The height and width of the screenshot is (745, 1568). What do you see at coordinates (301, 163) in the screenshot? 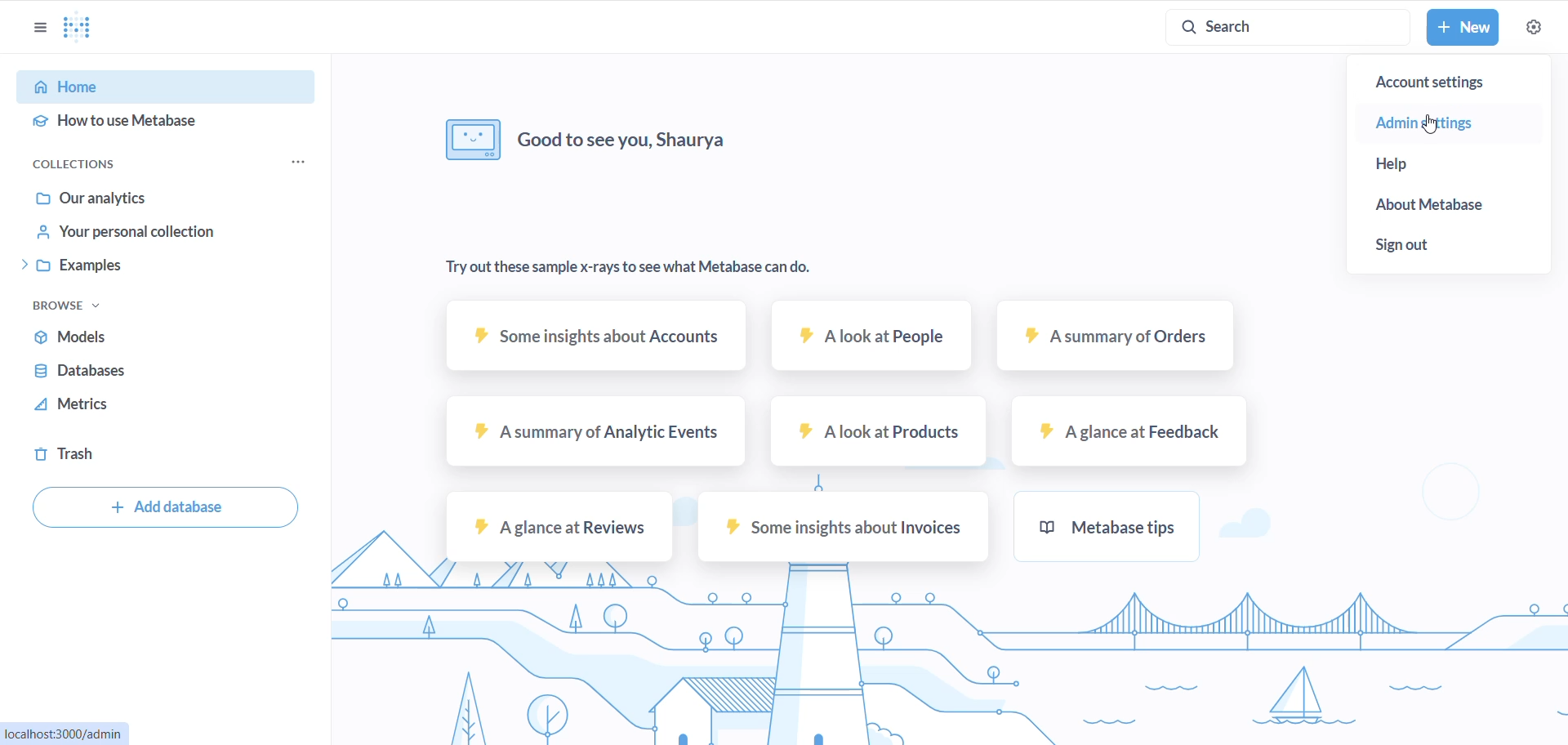
I see `COLLECTION OPTIONS` at bounding box center [301, 163].